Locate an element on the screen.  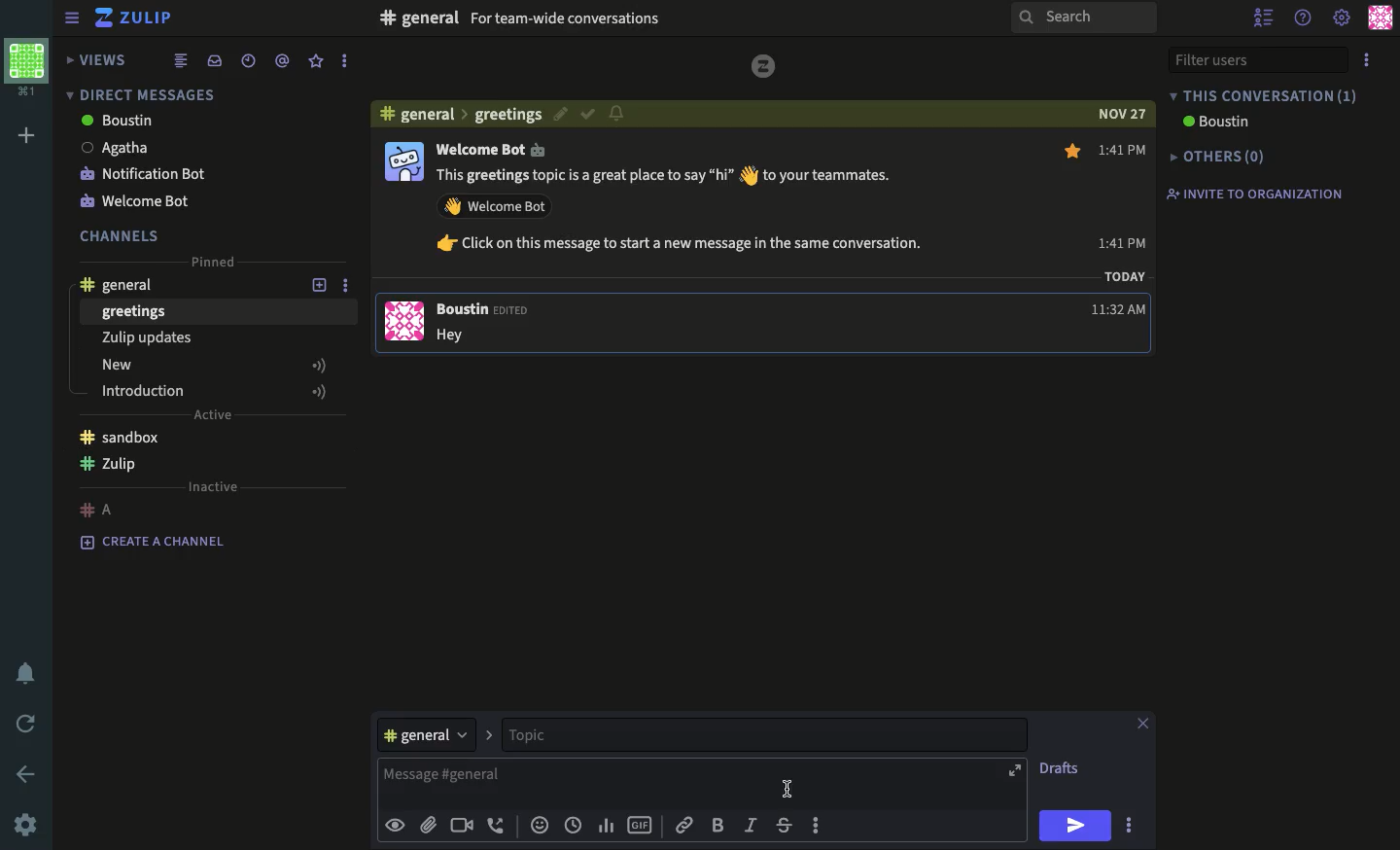
list view is located at coordinates (180, 59).